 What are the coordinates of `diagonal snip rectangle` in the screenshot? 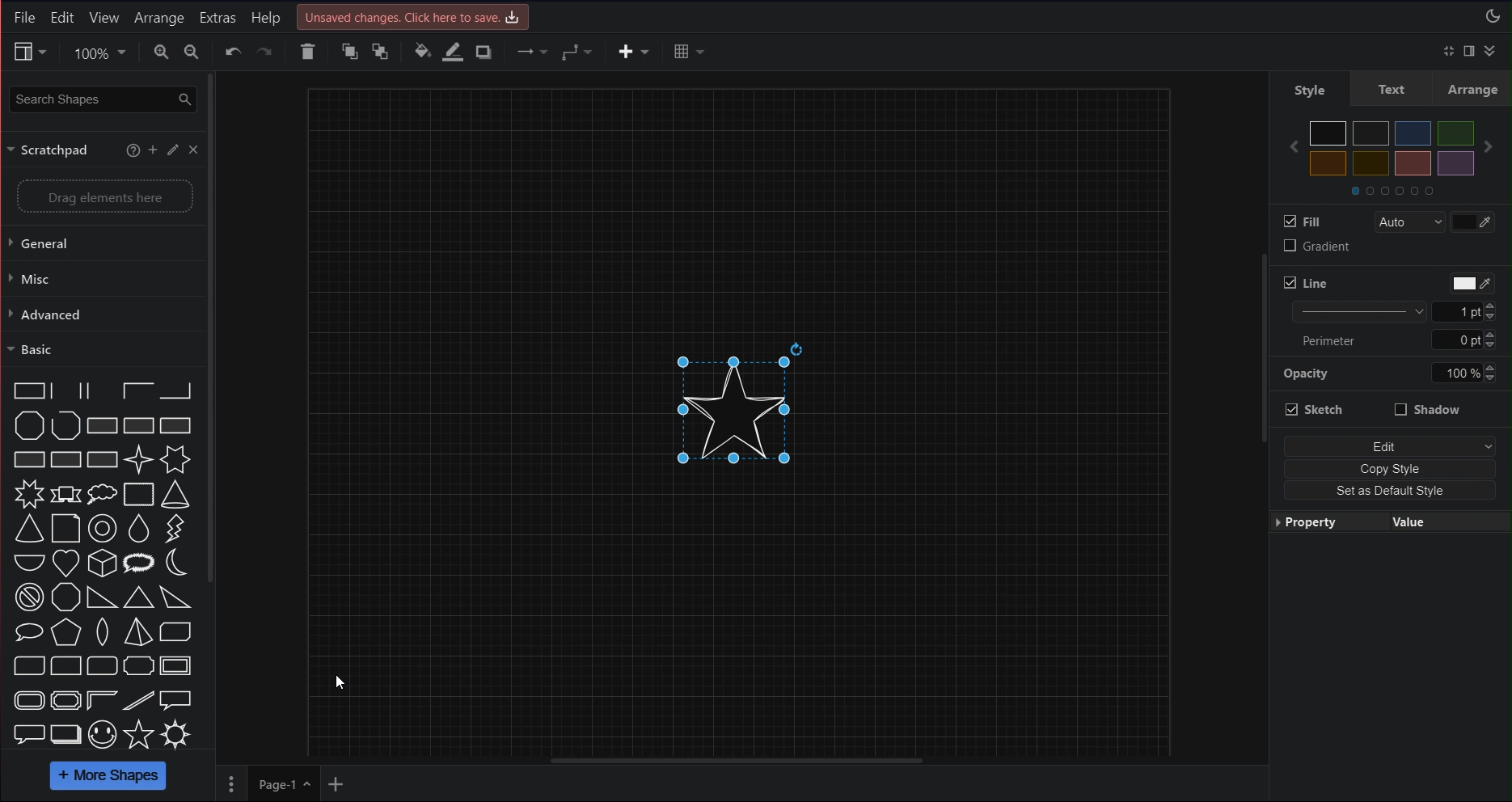 It's located at (176, 631).